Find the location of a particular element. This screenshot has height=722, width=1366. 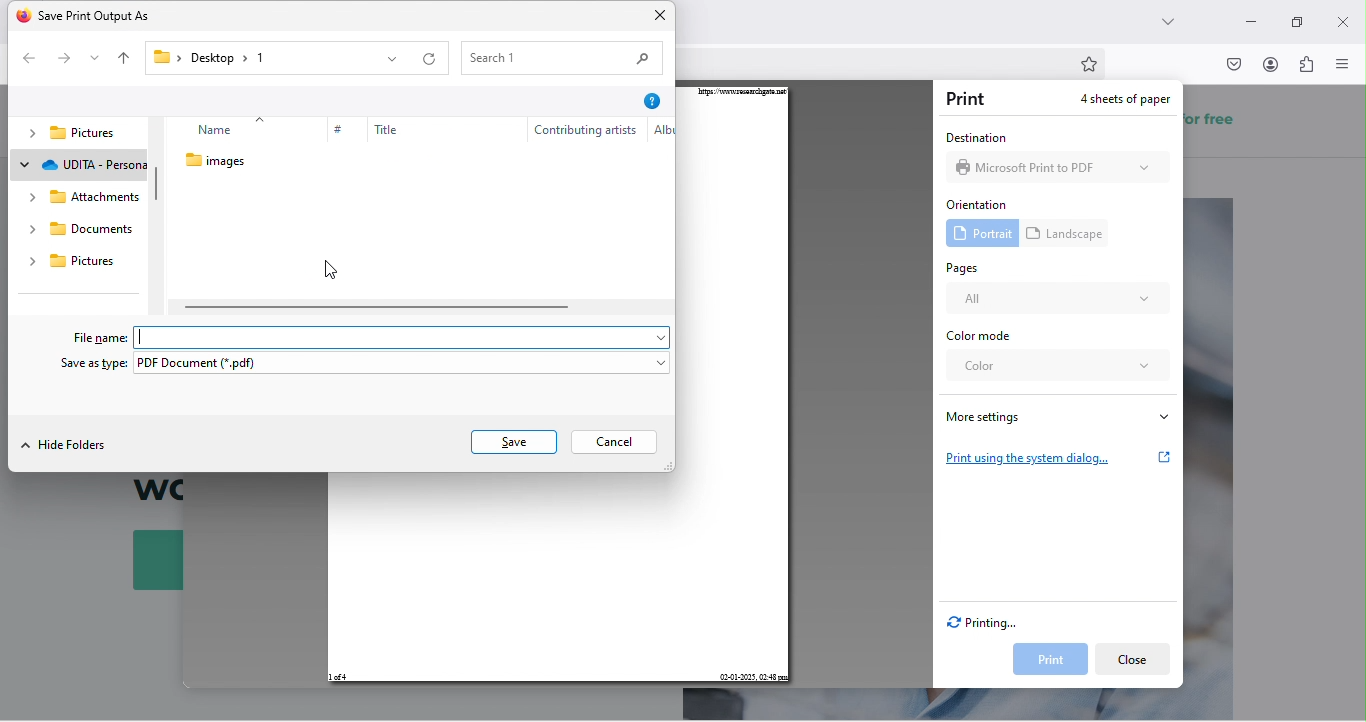

recent location is located at coordinates (94, 60).